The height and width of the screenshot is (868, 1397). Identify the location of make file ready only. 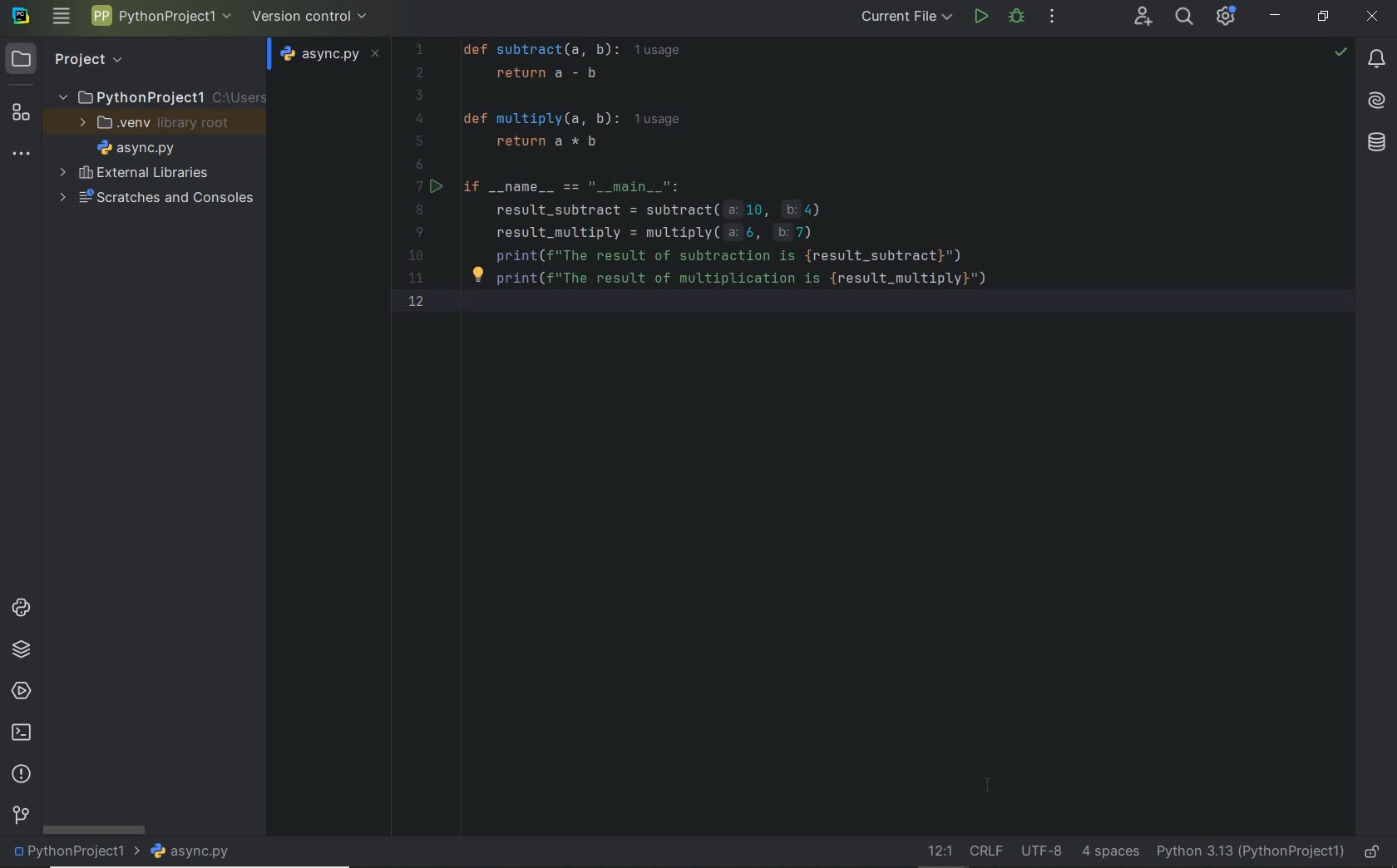
(1372, 853).